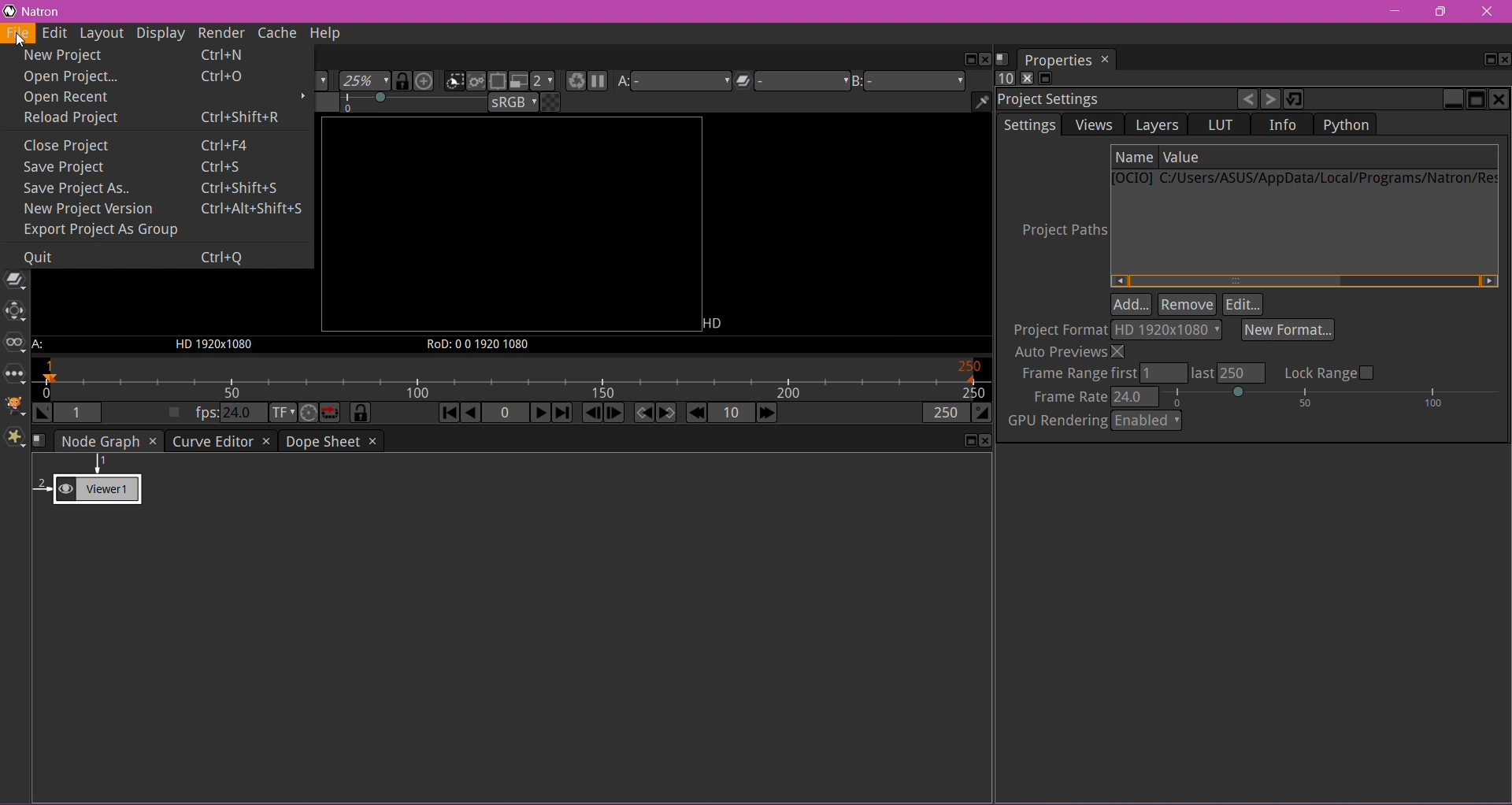 This screenshot has height=805, width=1512. What do you see at coordinates (1264, 398) in the screenshot?
I see `Set Frame Rate` at bounding box center [1264, 398].